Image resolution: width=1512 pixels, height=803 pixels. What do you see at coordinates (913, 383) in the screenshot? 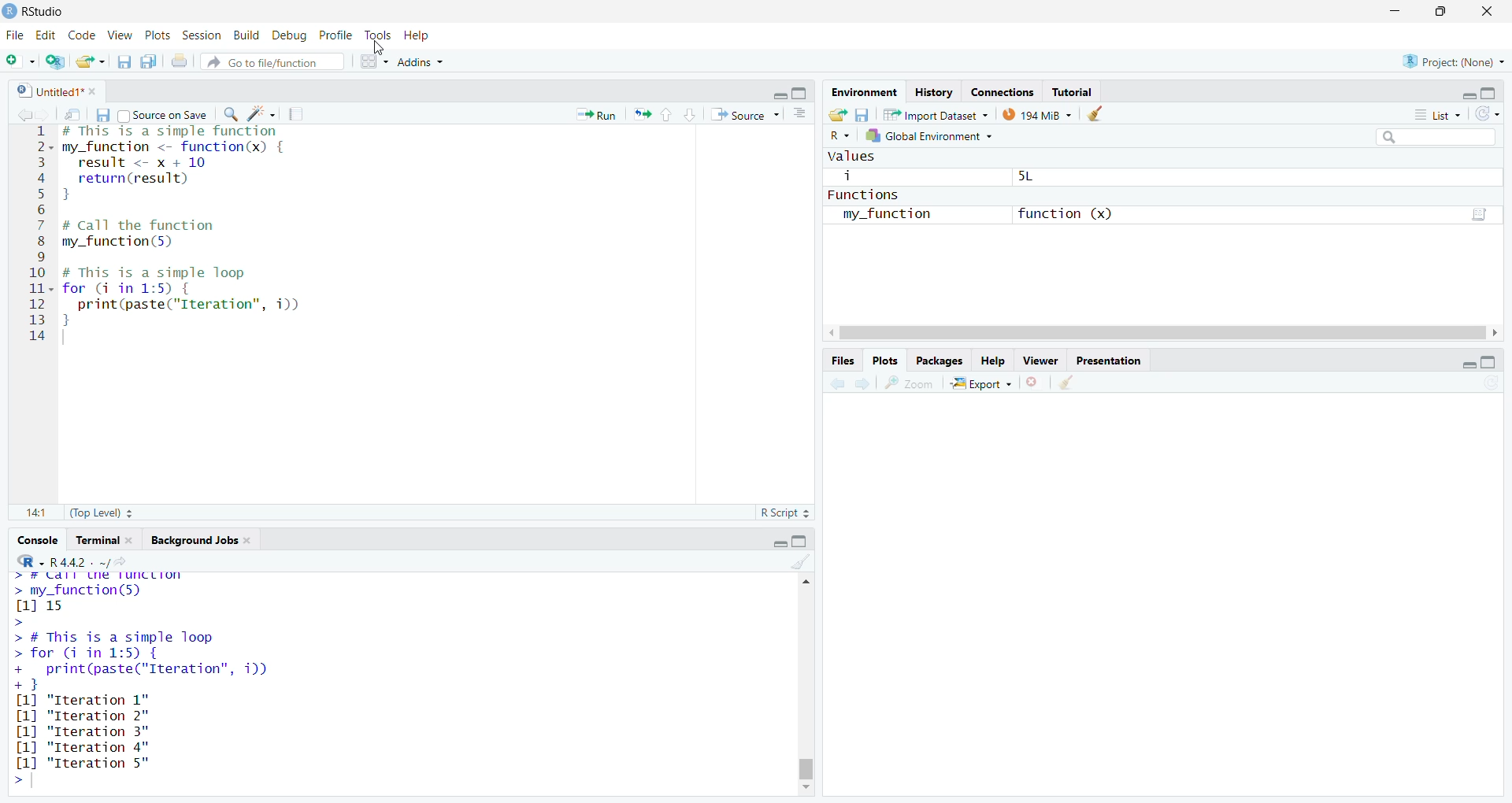
I see `view a larger version of the plot in new window` at bounding box center [913, 383].